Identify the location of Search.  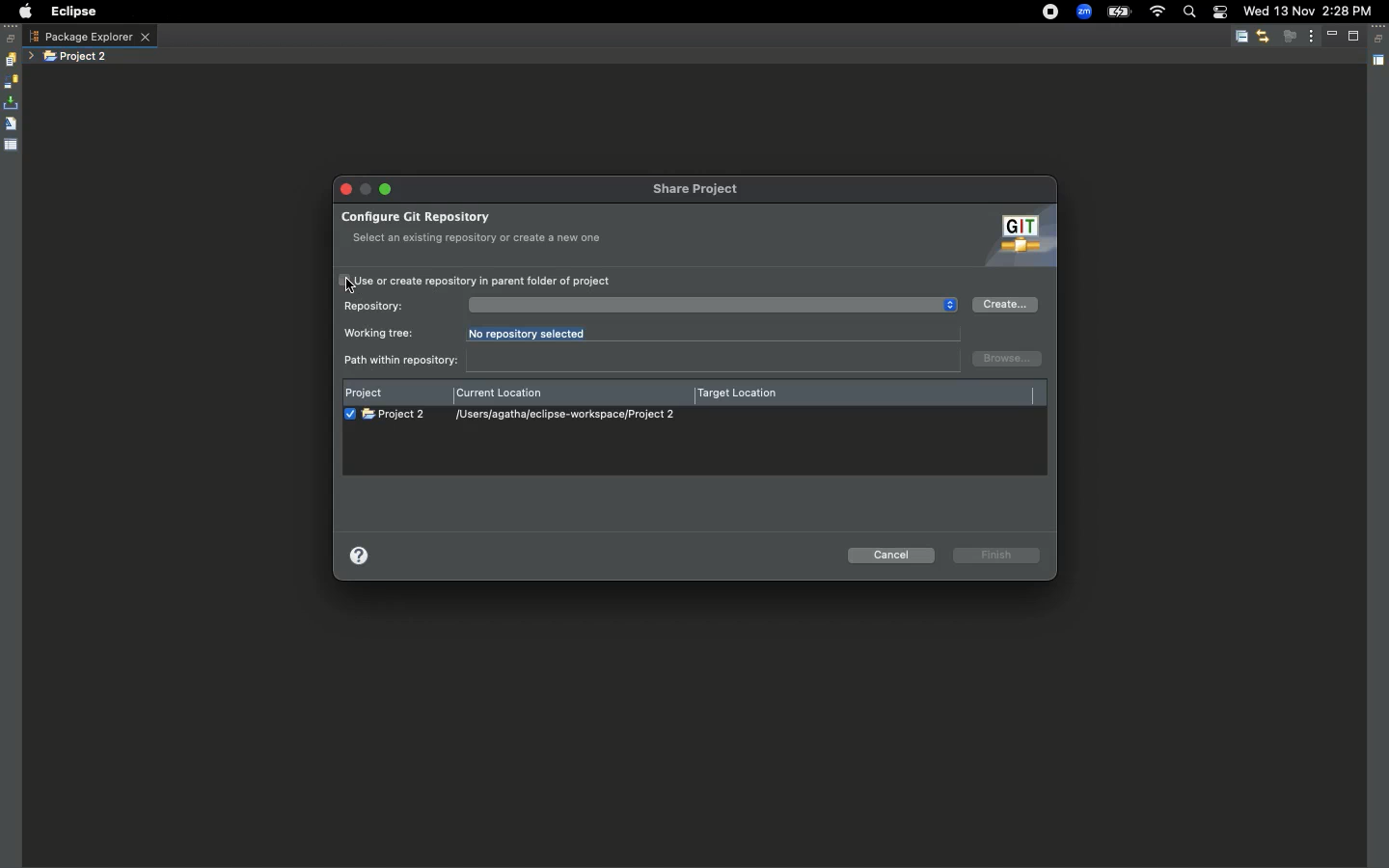
(1188, 14).